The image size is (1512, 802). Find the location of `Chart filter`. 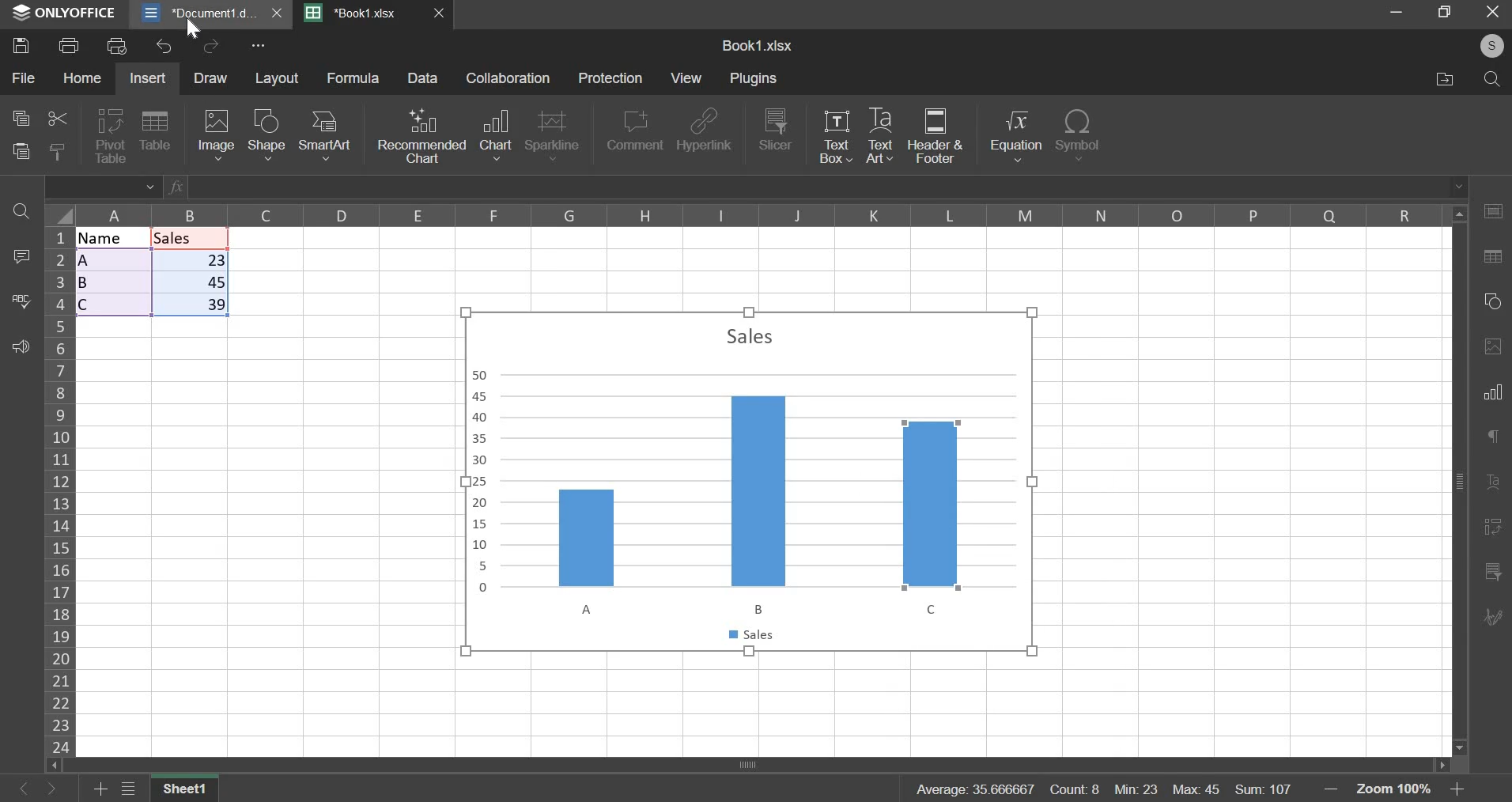

Chart filter is located at coordinates (1492, 572).